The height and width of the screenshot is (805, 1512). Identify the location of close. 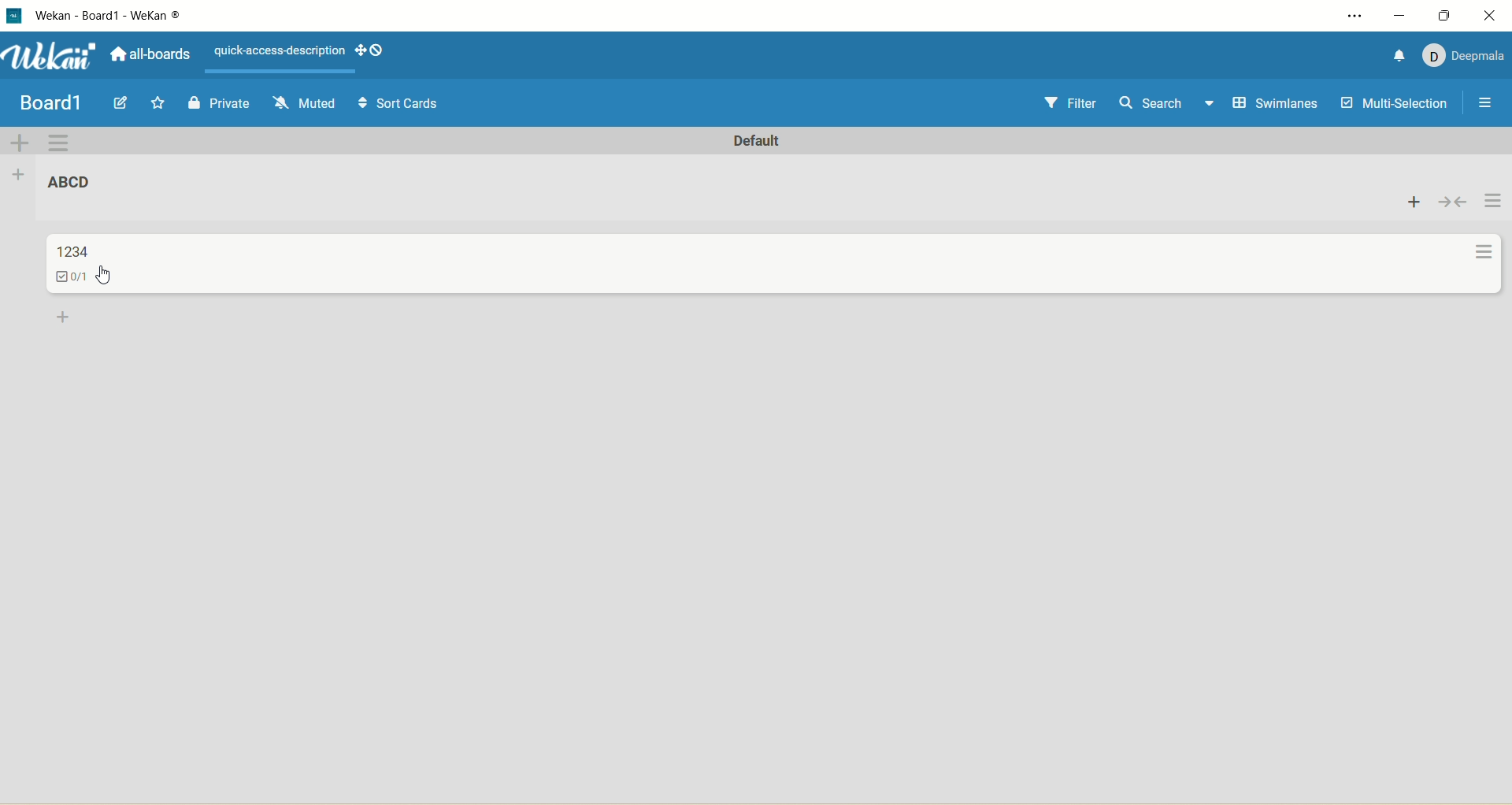
(1495, 16).